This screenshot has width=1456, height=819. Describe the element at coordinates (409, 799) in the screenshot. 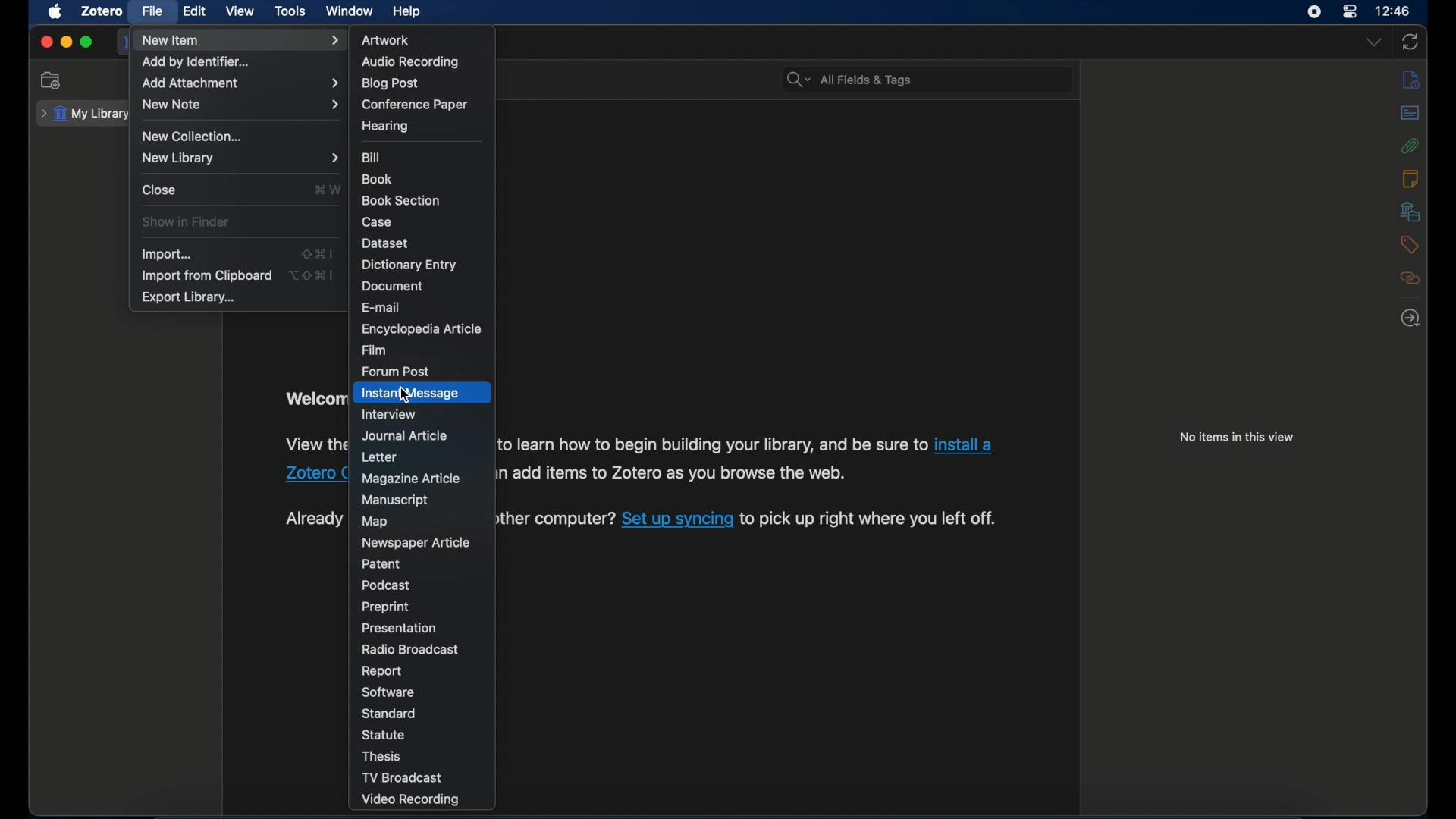

I see `video recording` at that location.